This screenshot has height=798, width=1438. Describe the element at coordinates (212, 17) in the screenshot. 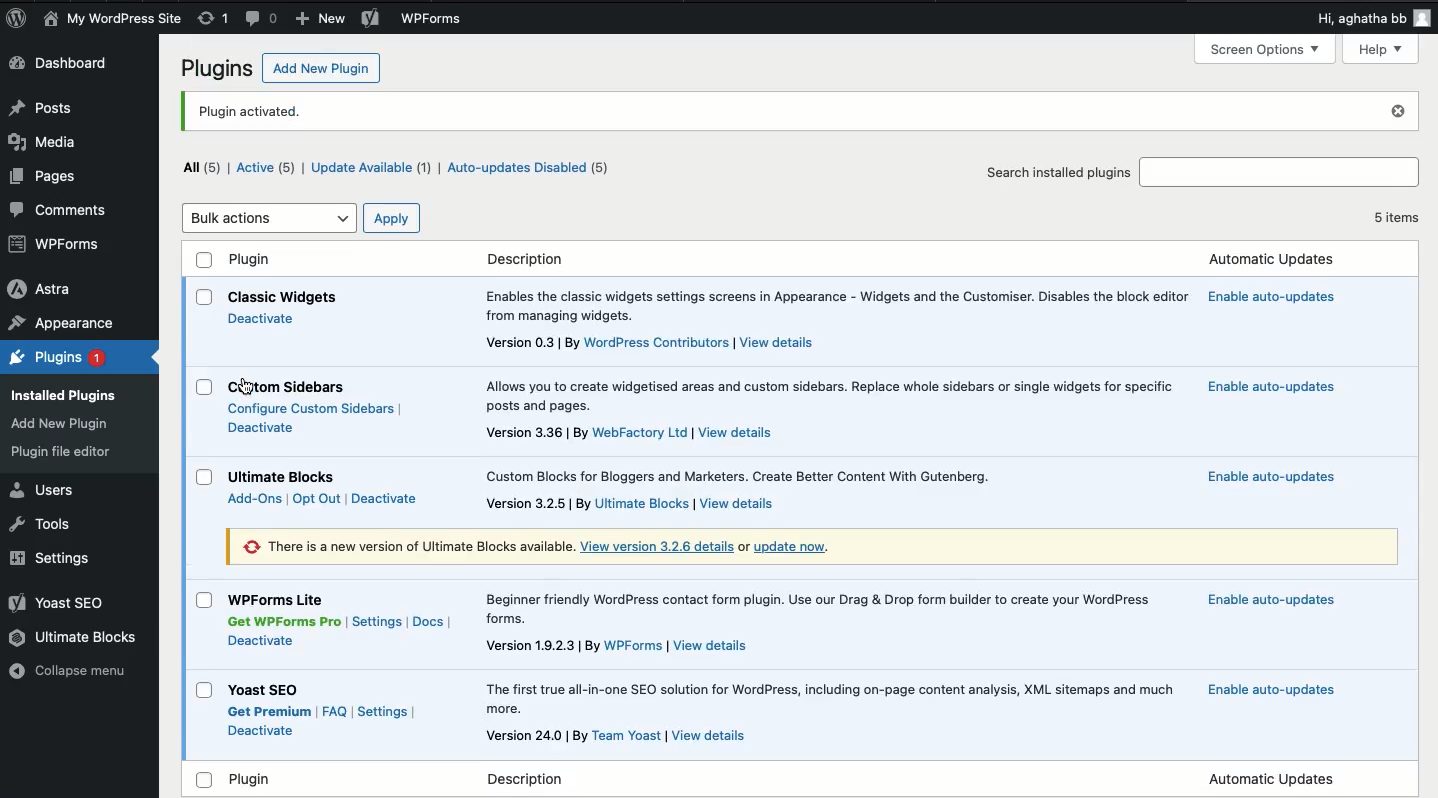

I see `Revision` at that location.